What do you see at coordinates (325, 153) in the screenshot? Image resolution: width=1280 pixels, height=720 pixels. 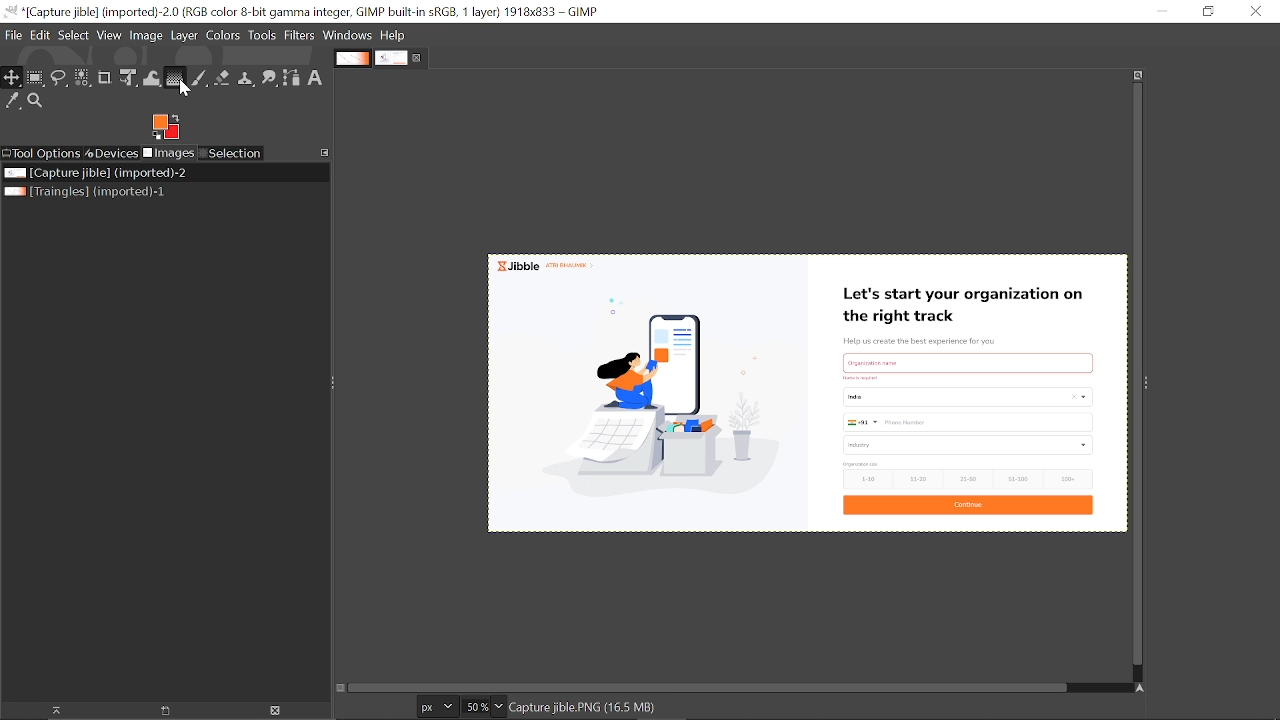 I see `Configure this tab` at bounding box center [325, 153].